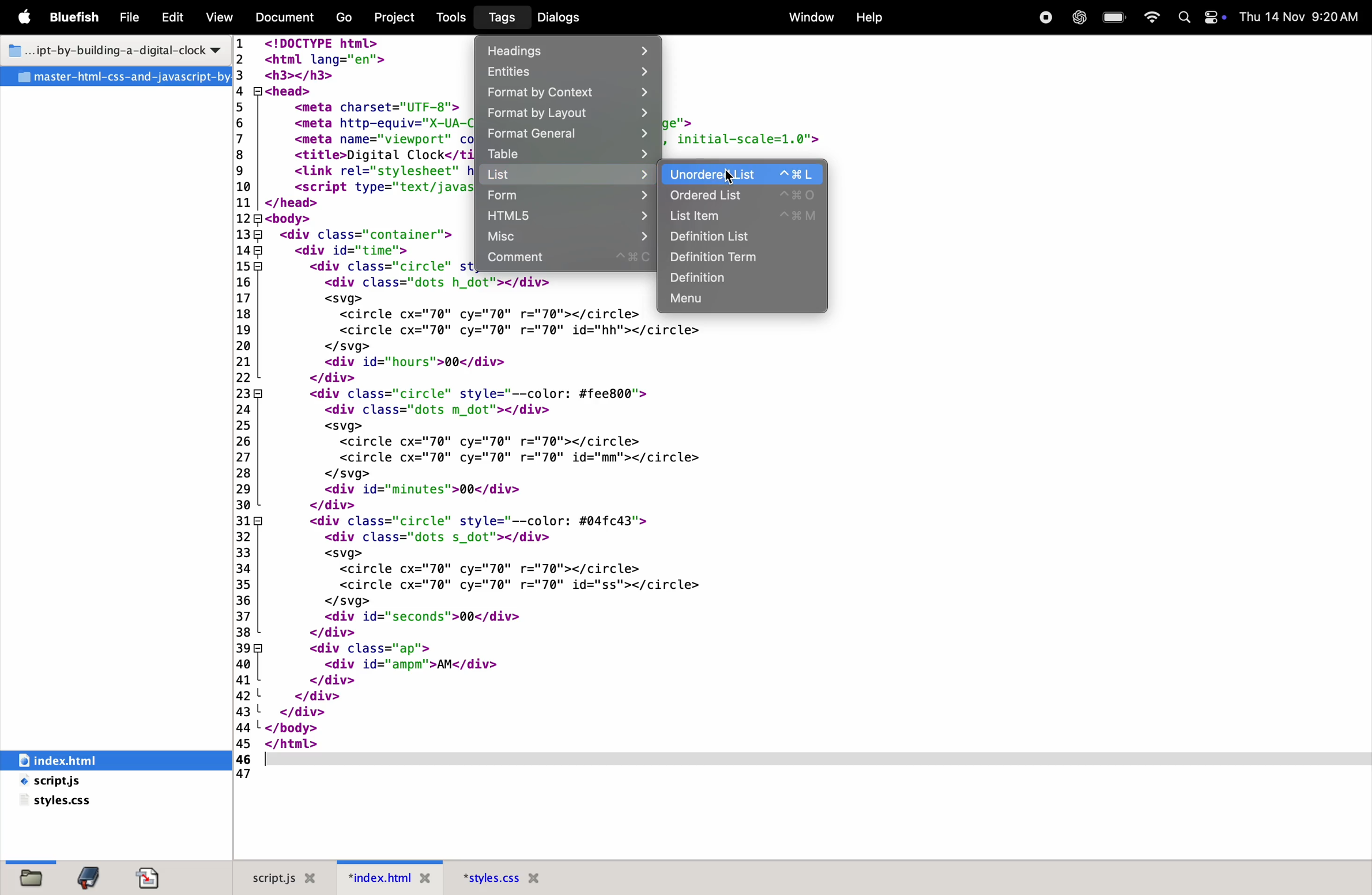  What do you see at coordinates (390, 877) in the screenshot?
I see `index.html` at bounding box center [390, 877].